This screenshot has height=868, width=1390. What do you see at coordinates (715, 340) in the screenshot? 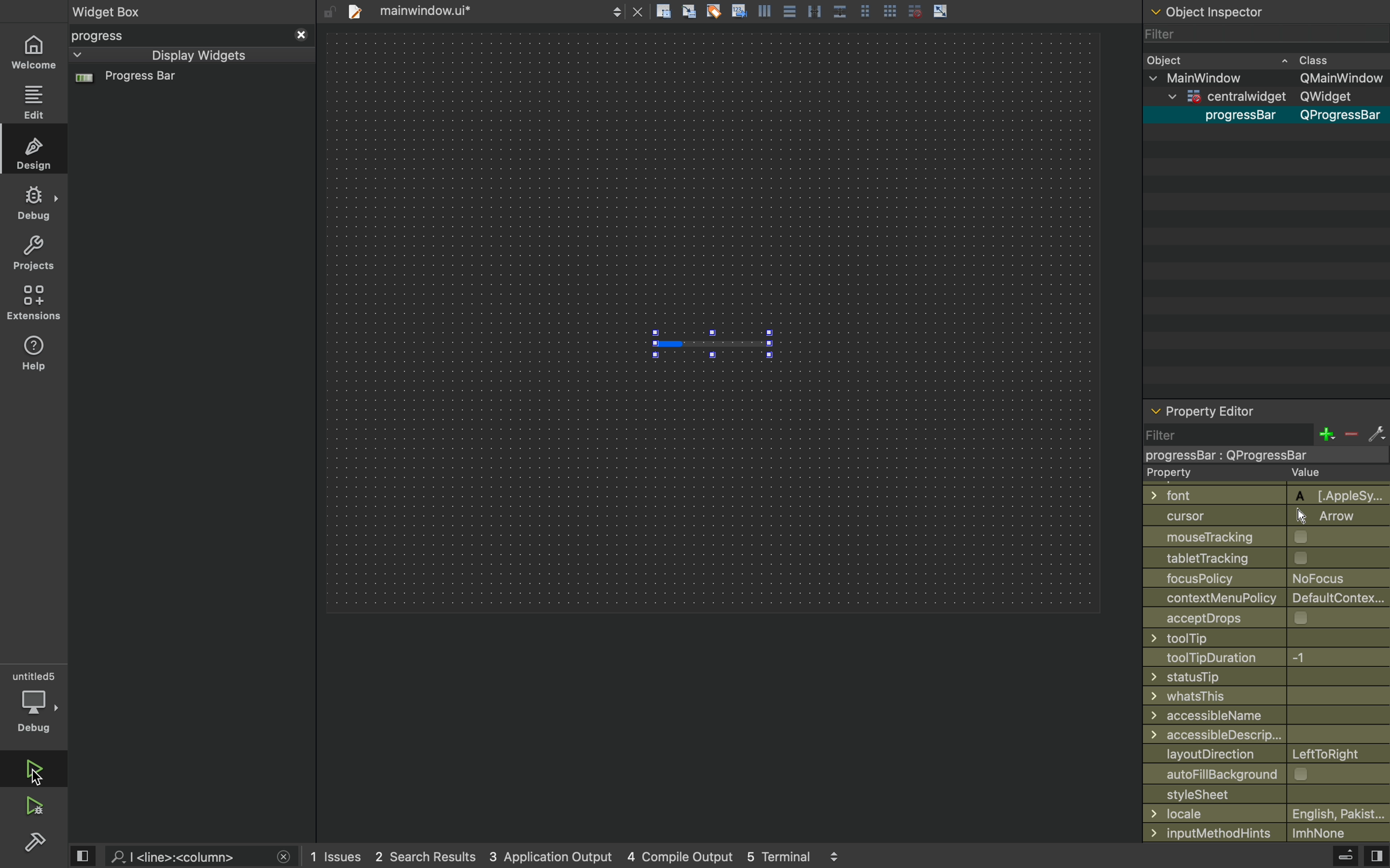
I see `progressbar` at bounding box center [715, 340].